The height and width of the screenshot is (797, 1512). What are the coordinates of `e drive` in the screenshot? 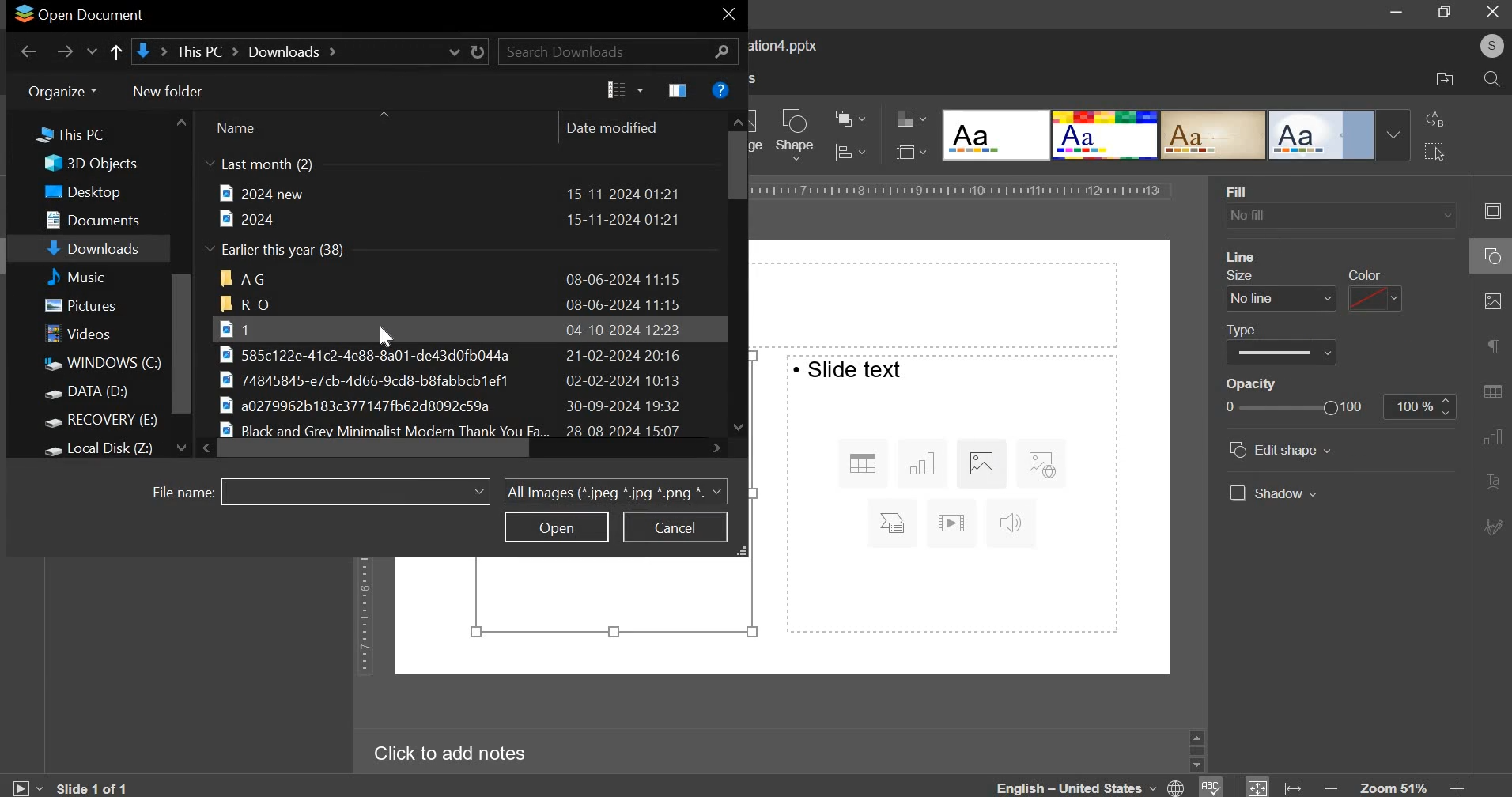 It's located at (105, 422).